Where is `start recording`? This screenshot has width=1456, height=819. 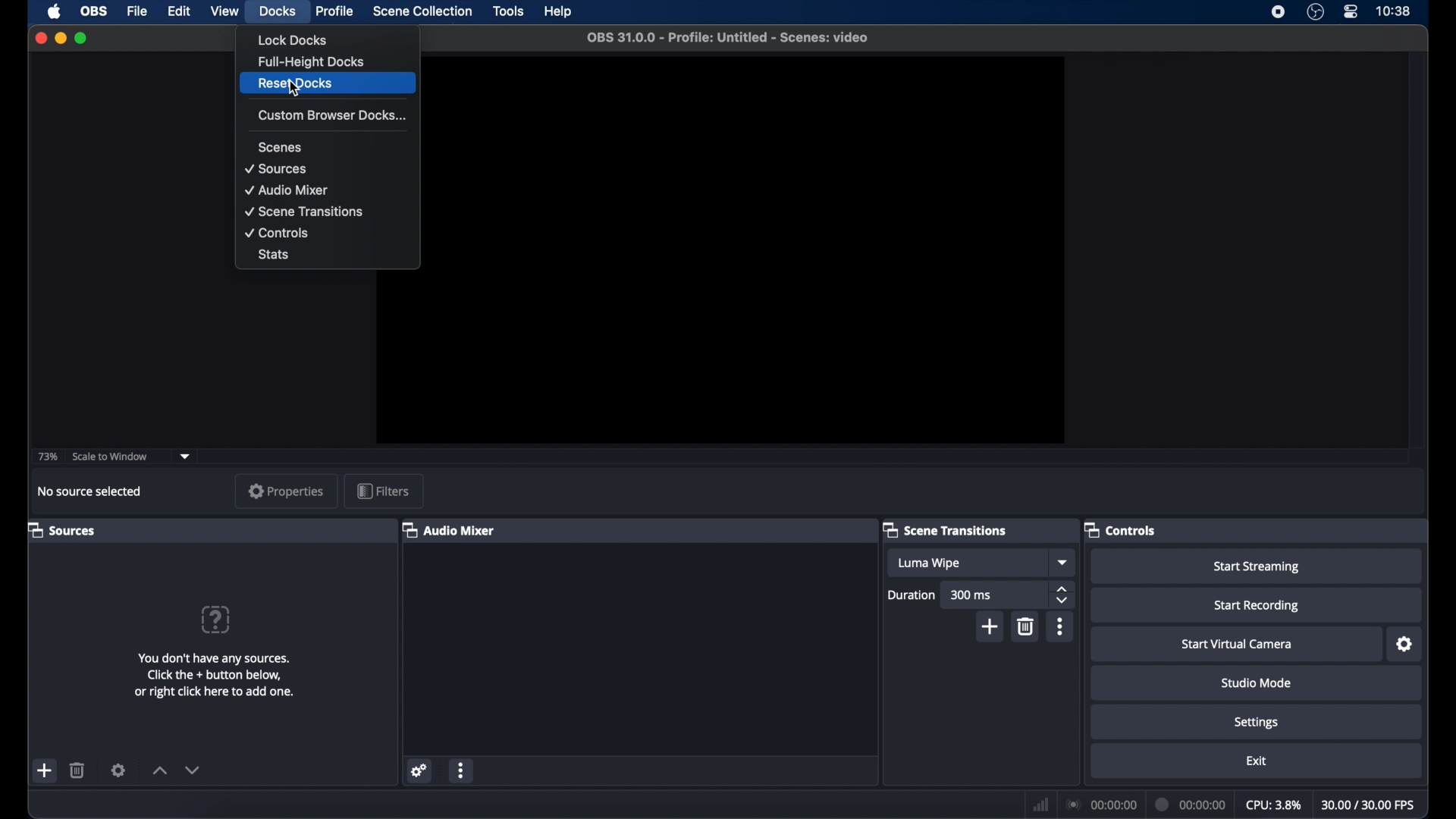
start recording is located at coordinates (1257, 606).